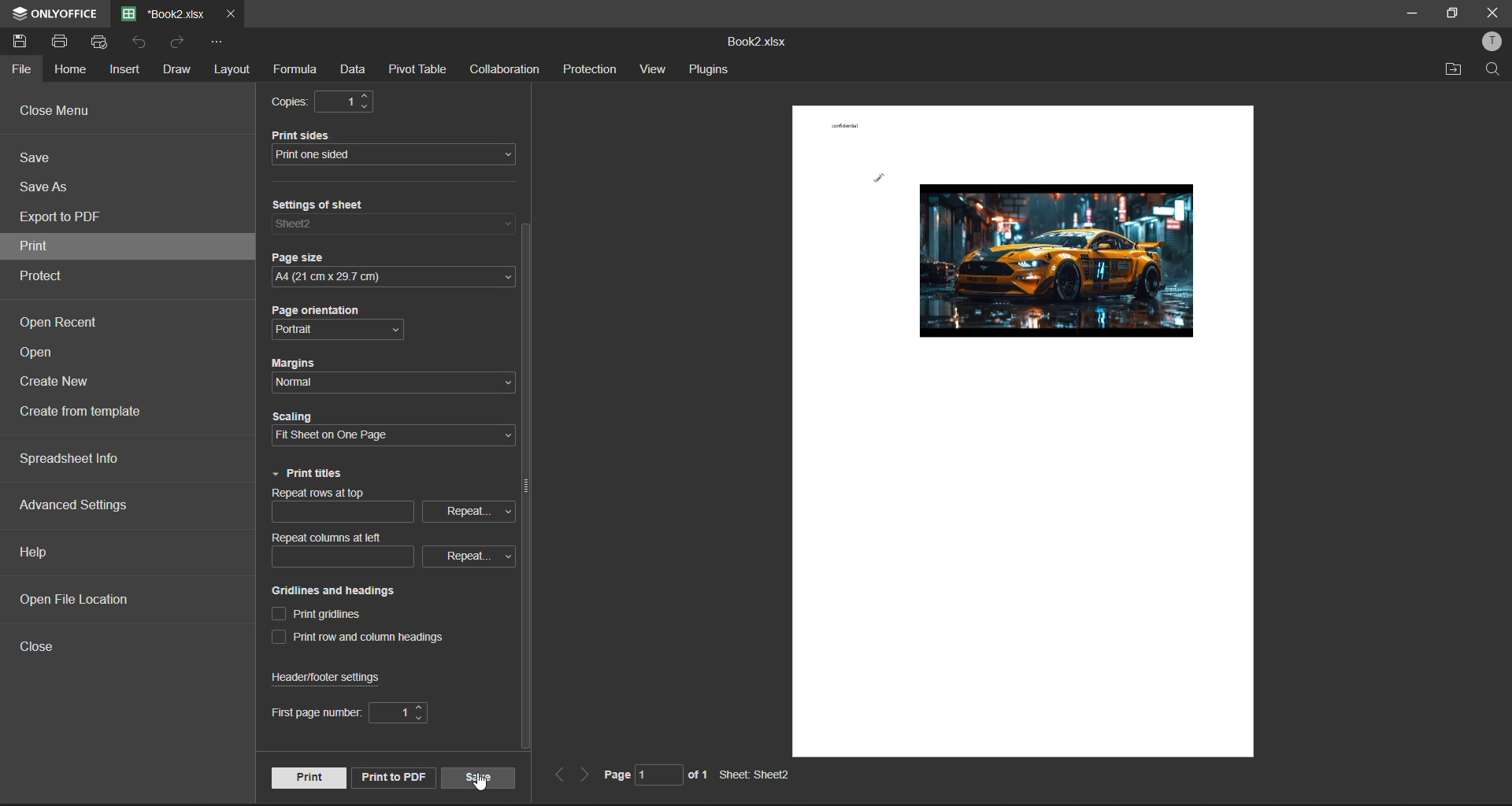 The height and width of the screenshot is (806, 1512). I want to click on create from template, so click(89, 412).